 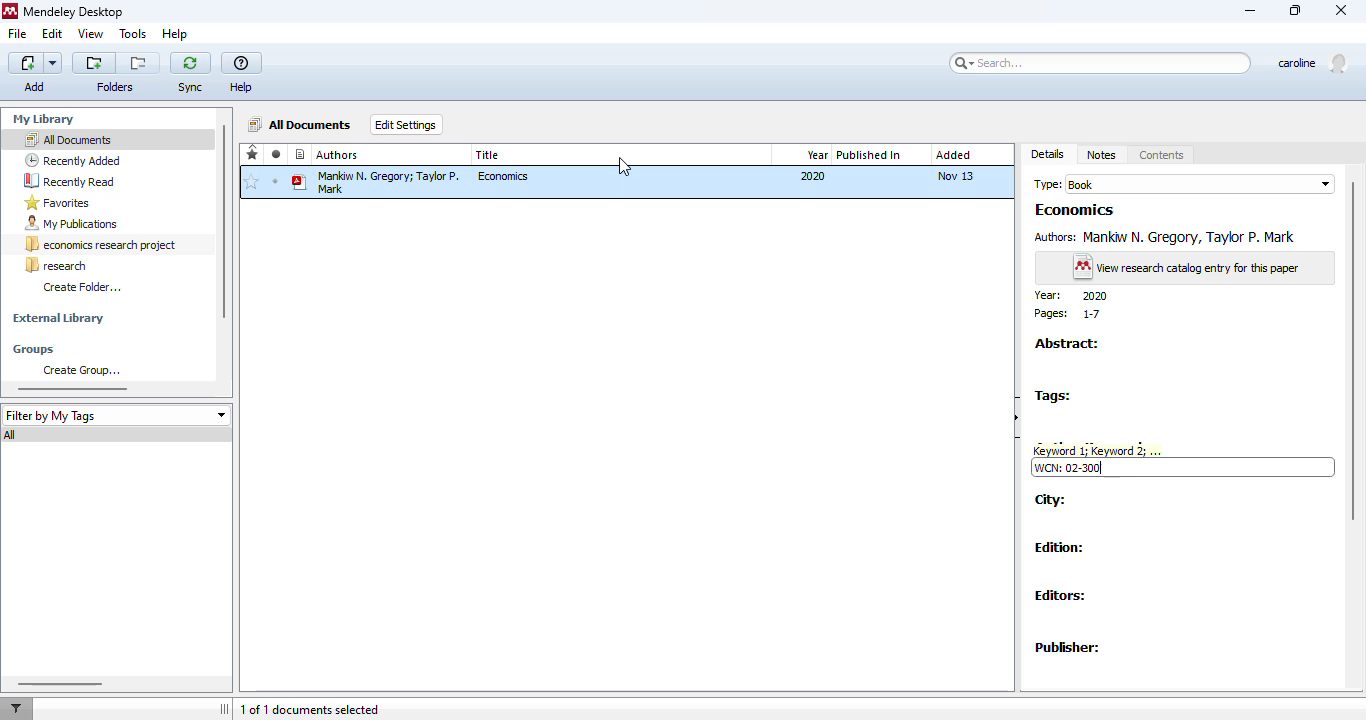 I want to click on year, so click(x=817, y=155).